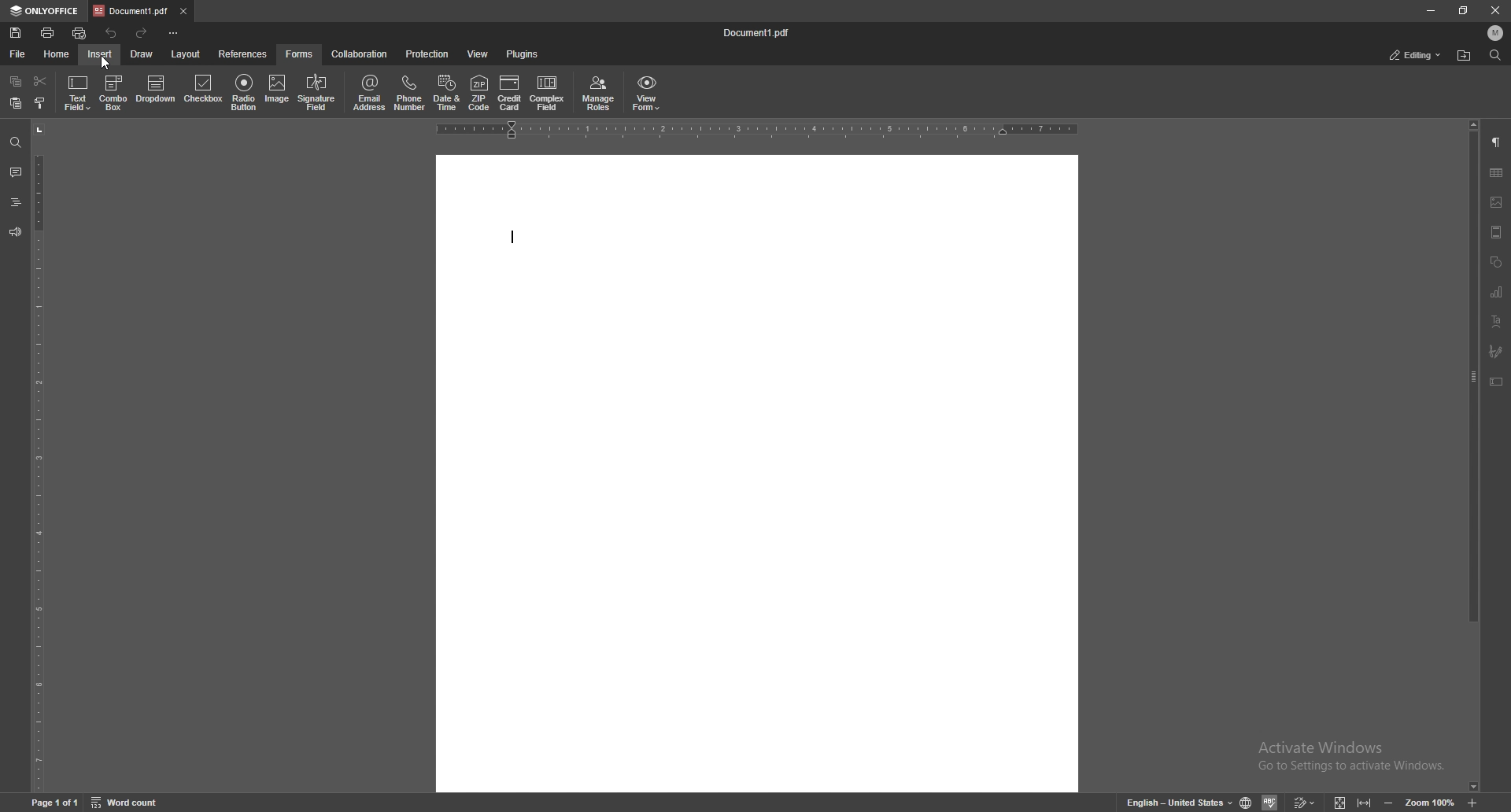 Image resolution: width=1511 pixels, height=812 pixels. What do you see at coordinates (1498, 142) in the screenshot?
I see `paragraph` at bounding box center [1498, 142].